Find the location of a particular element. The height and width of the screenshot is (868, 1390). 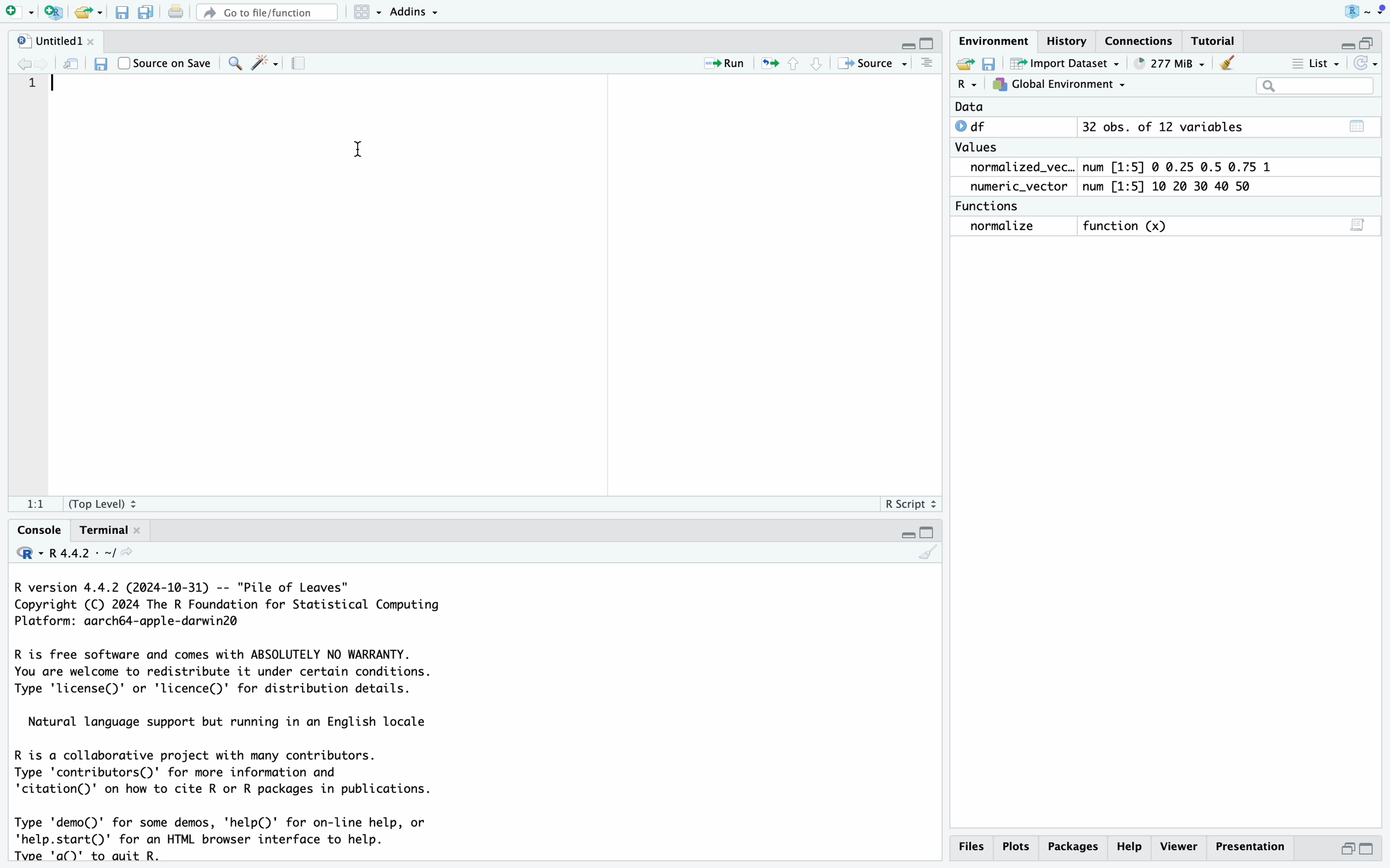

go back is located at coordinates (29, 65).